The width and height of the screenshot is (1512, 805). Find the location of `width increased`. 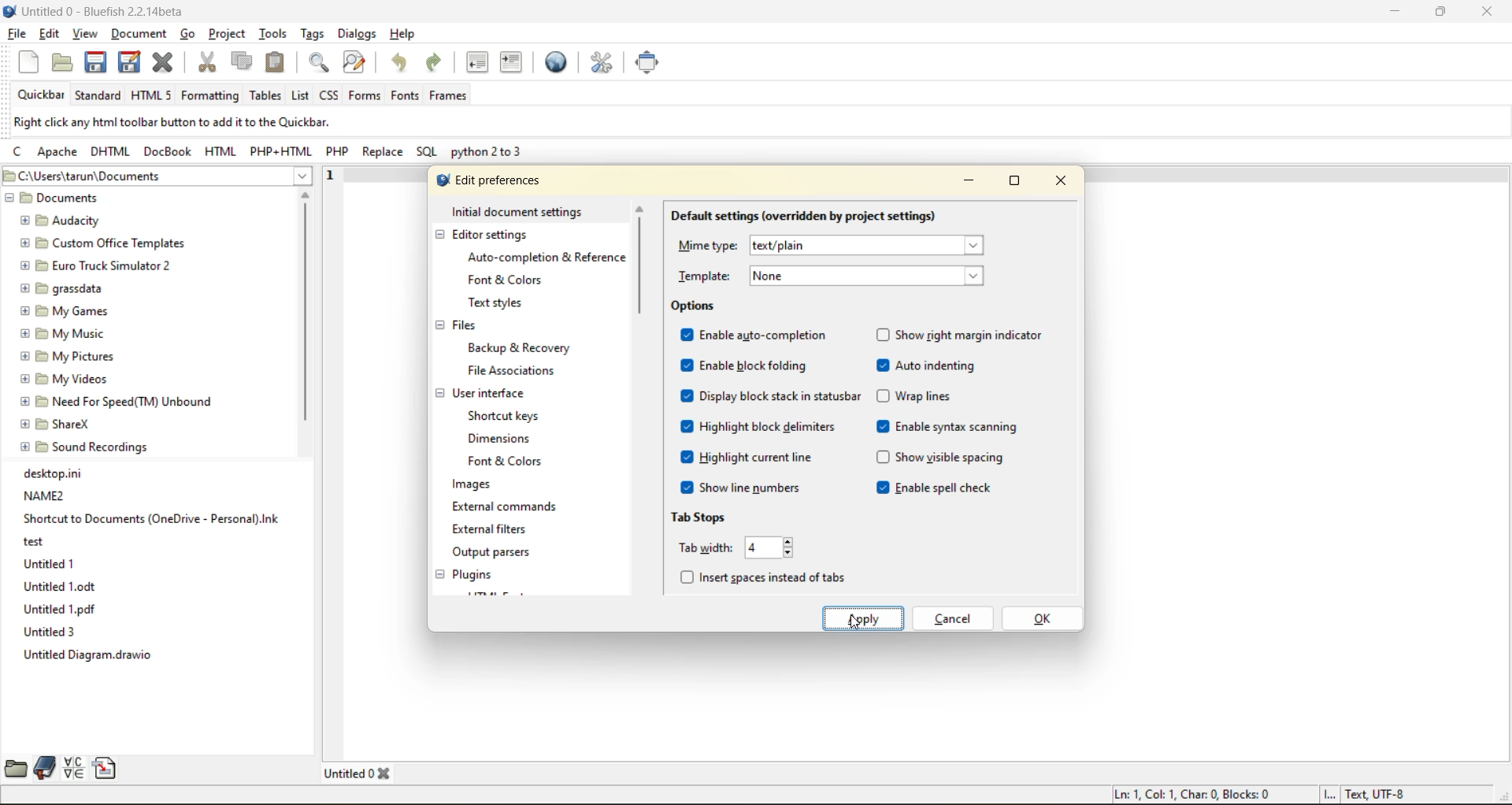

width increased is located at coordinates (758, 548).